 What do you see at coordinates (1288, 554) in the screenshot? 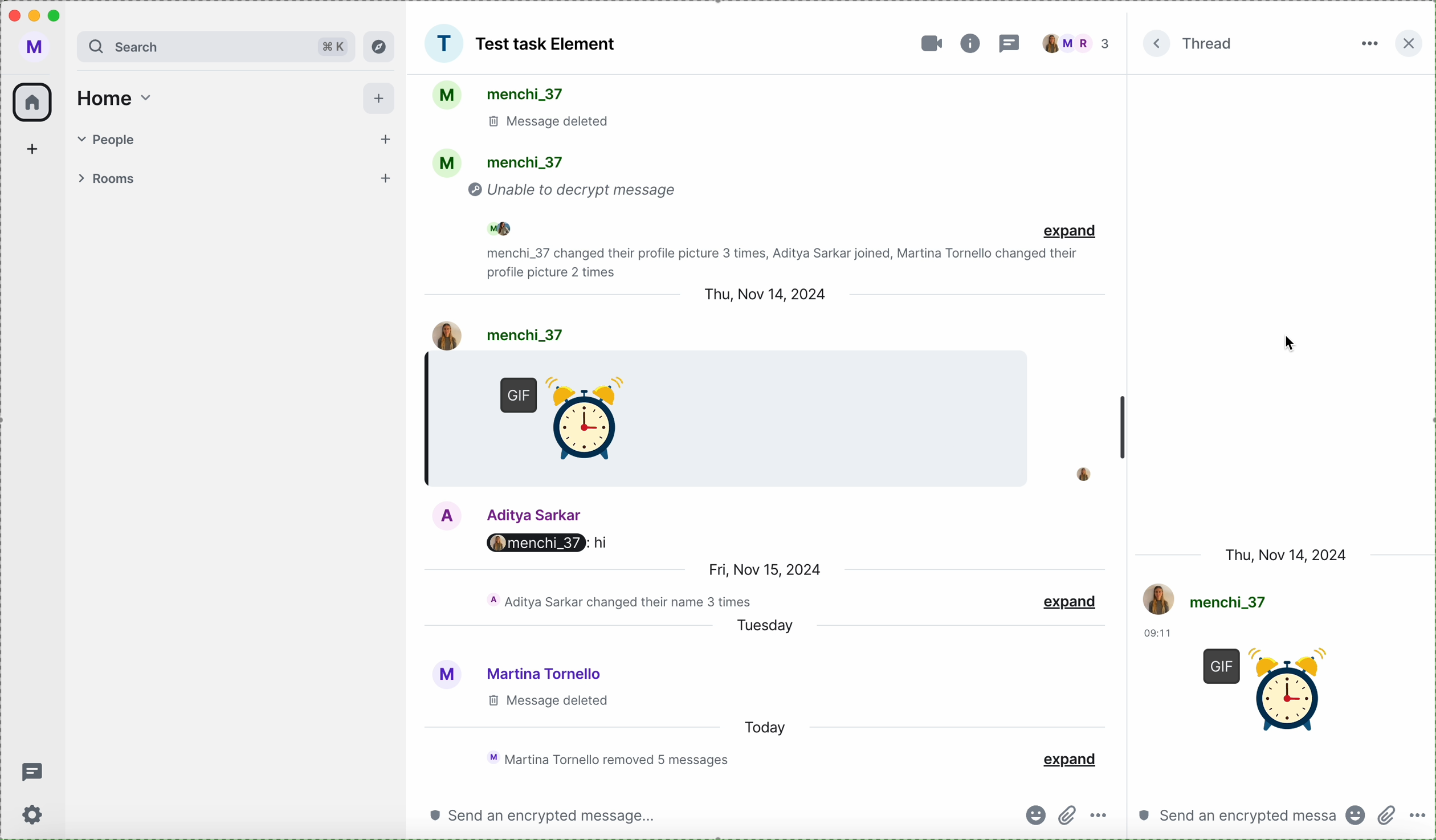
I see `date` at bounding box center [1288, 554].